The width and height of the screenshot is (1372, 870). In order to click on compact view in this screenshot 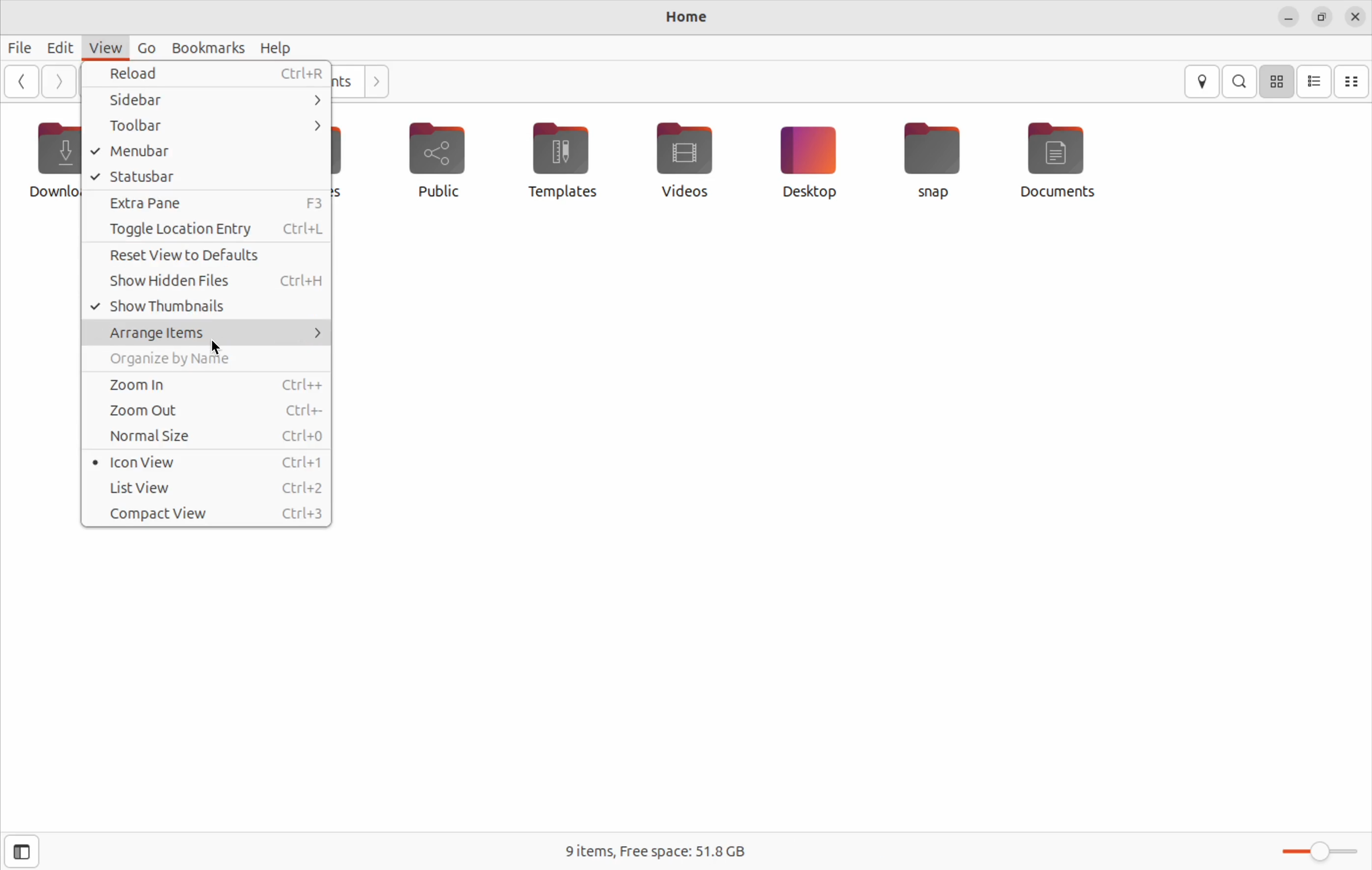, I will do `click(1353, 82)`.